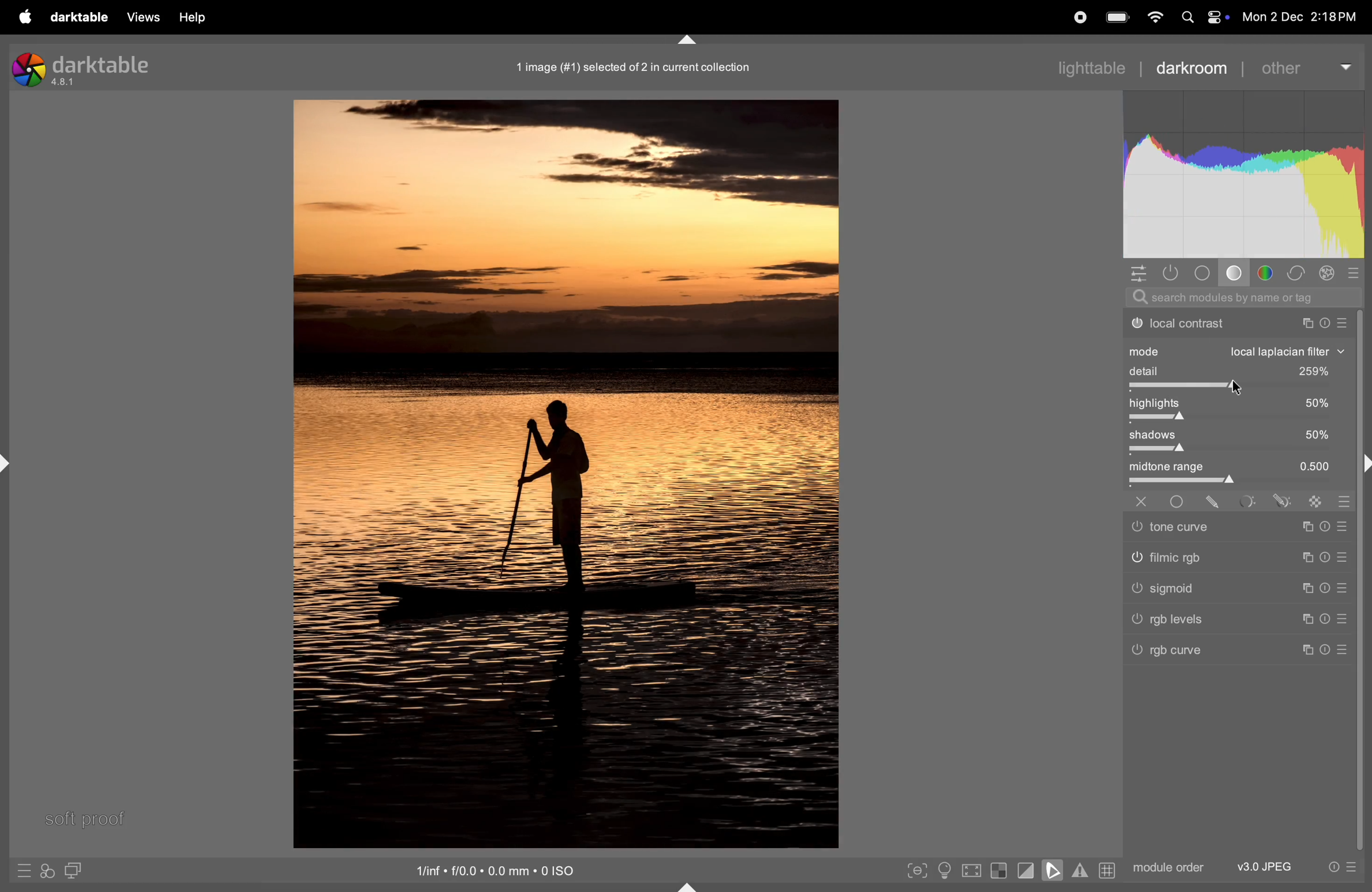 The height and width of the screenshot is (892, 1372). Describe the element at coordinates (1306, 617) in the screenshot. I see `sign ` at that location.